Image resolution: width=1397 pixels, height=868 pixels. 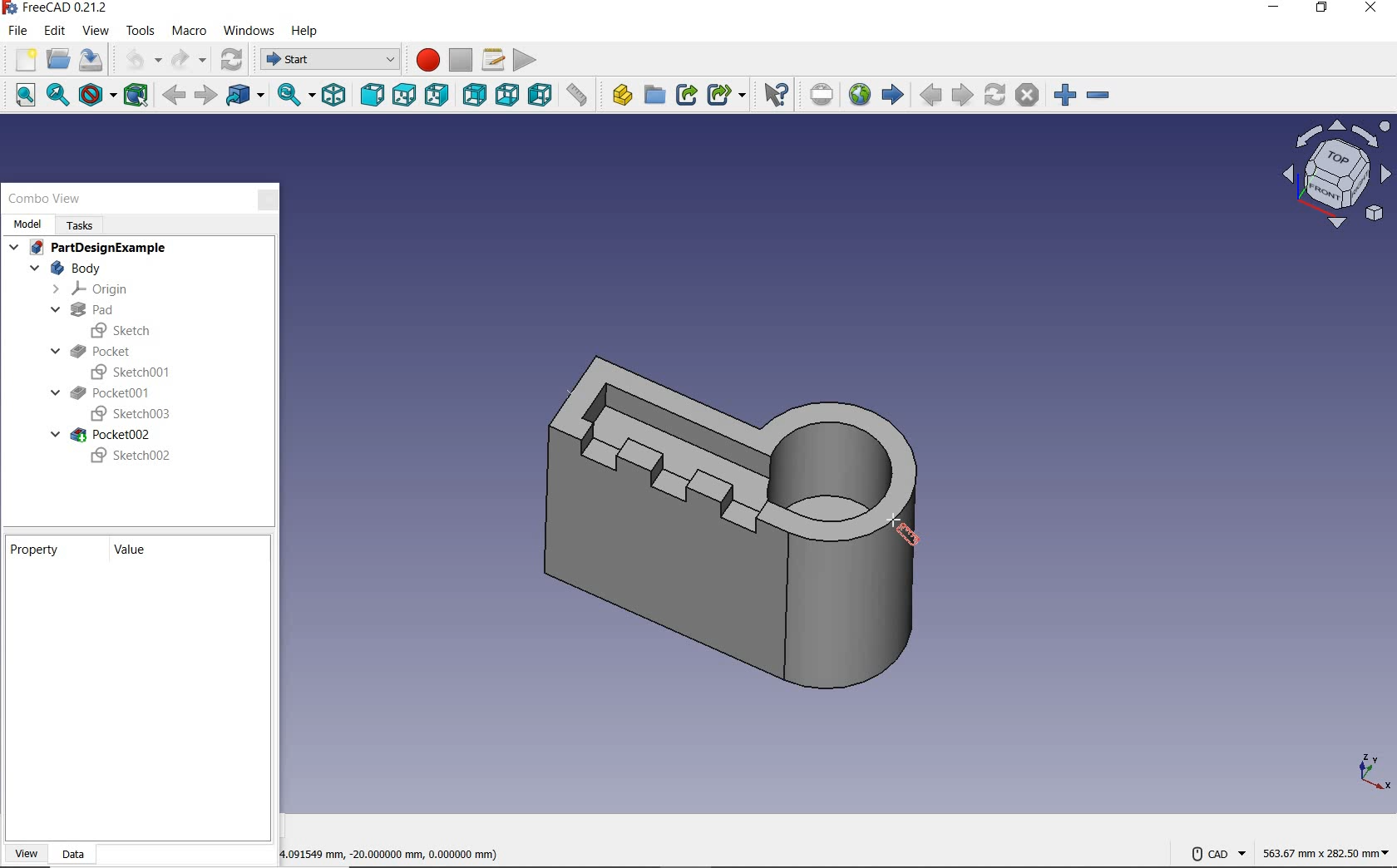 What do you see at coordinates (92, 289) in the screenshot?
I see `ORIGIN` at bounding box center [92, 289].